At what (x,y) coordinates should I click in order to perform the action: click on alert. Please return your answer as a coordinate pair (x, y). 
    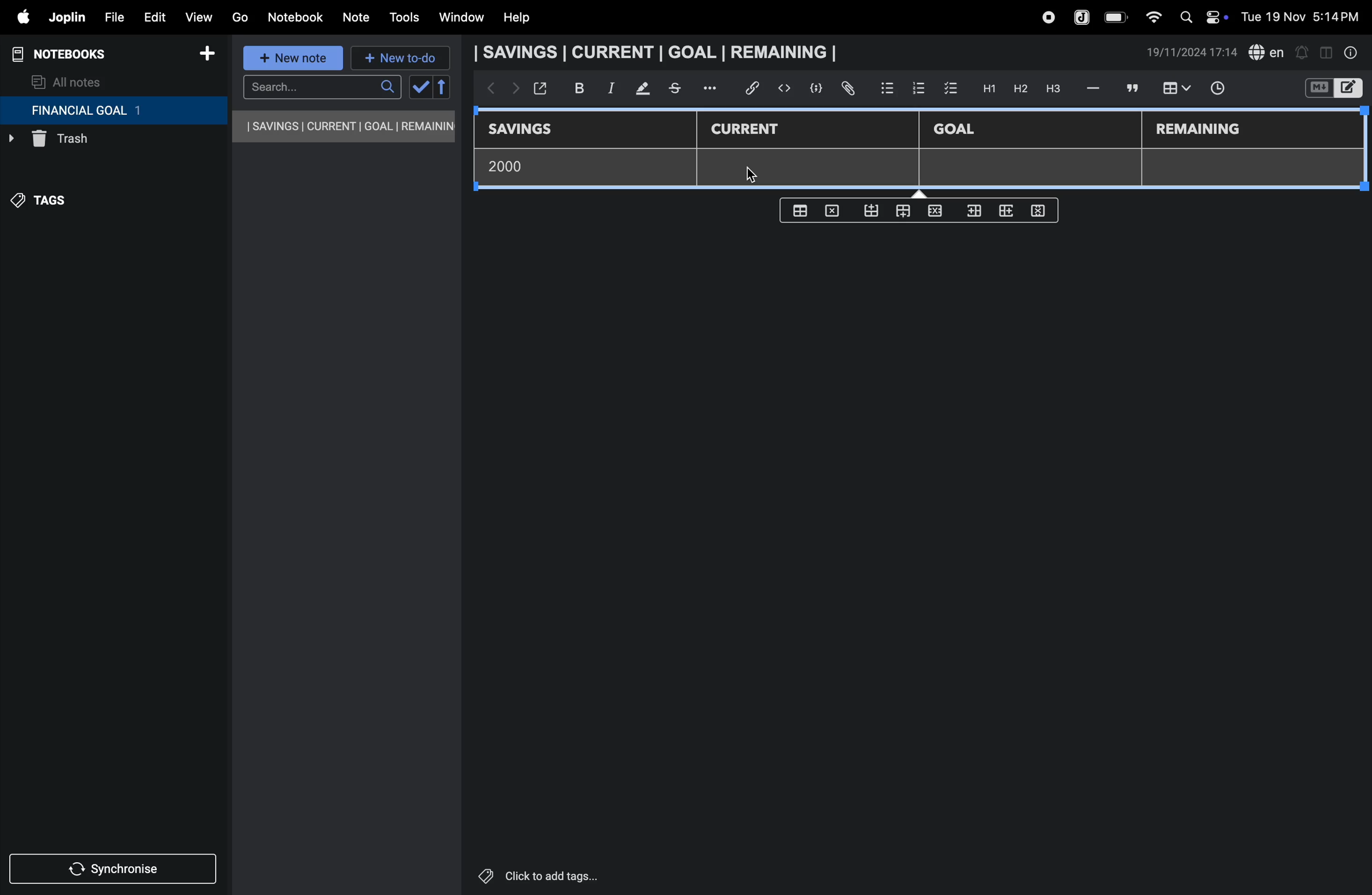
    Looking at the image, I should click on (1301, 52).